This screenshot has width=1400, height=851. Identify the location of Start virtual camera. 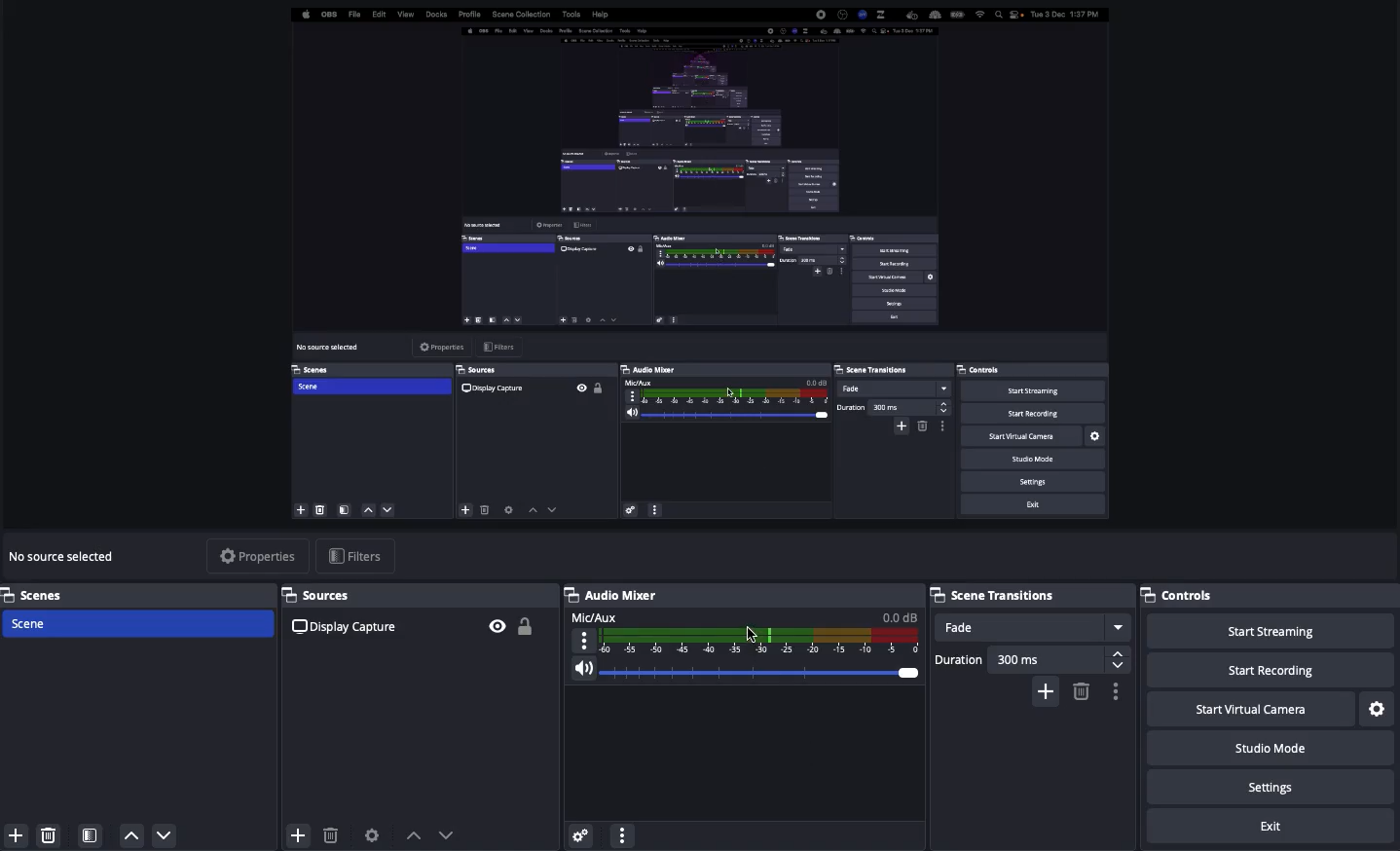
(1248, 710).